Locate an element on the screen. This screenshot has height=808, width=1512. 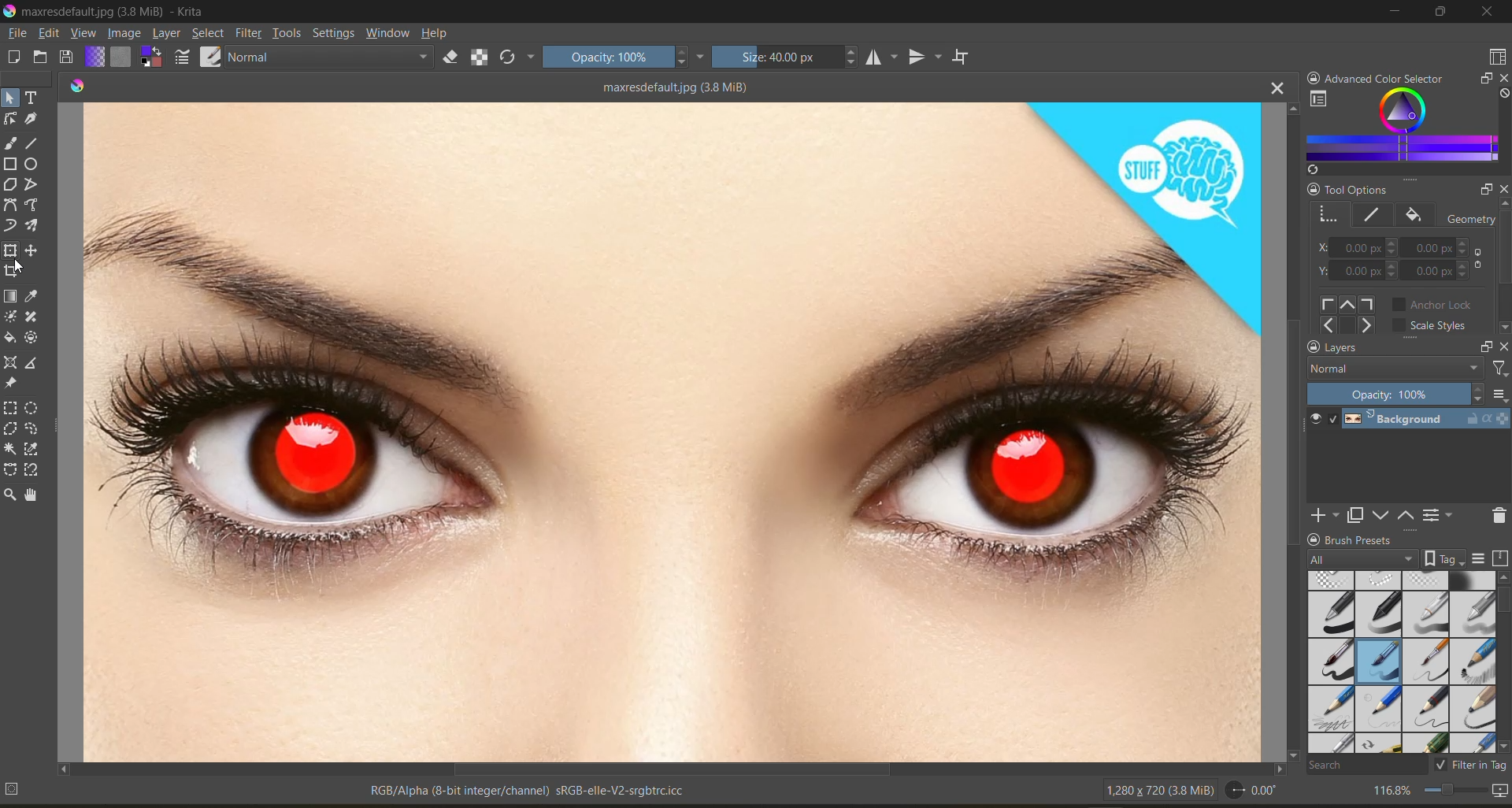
normal is located at coordinates (335, 59).